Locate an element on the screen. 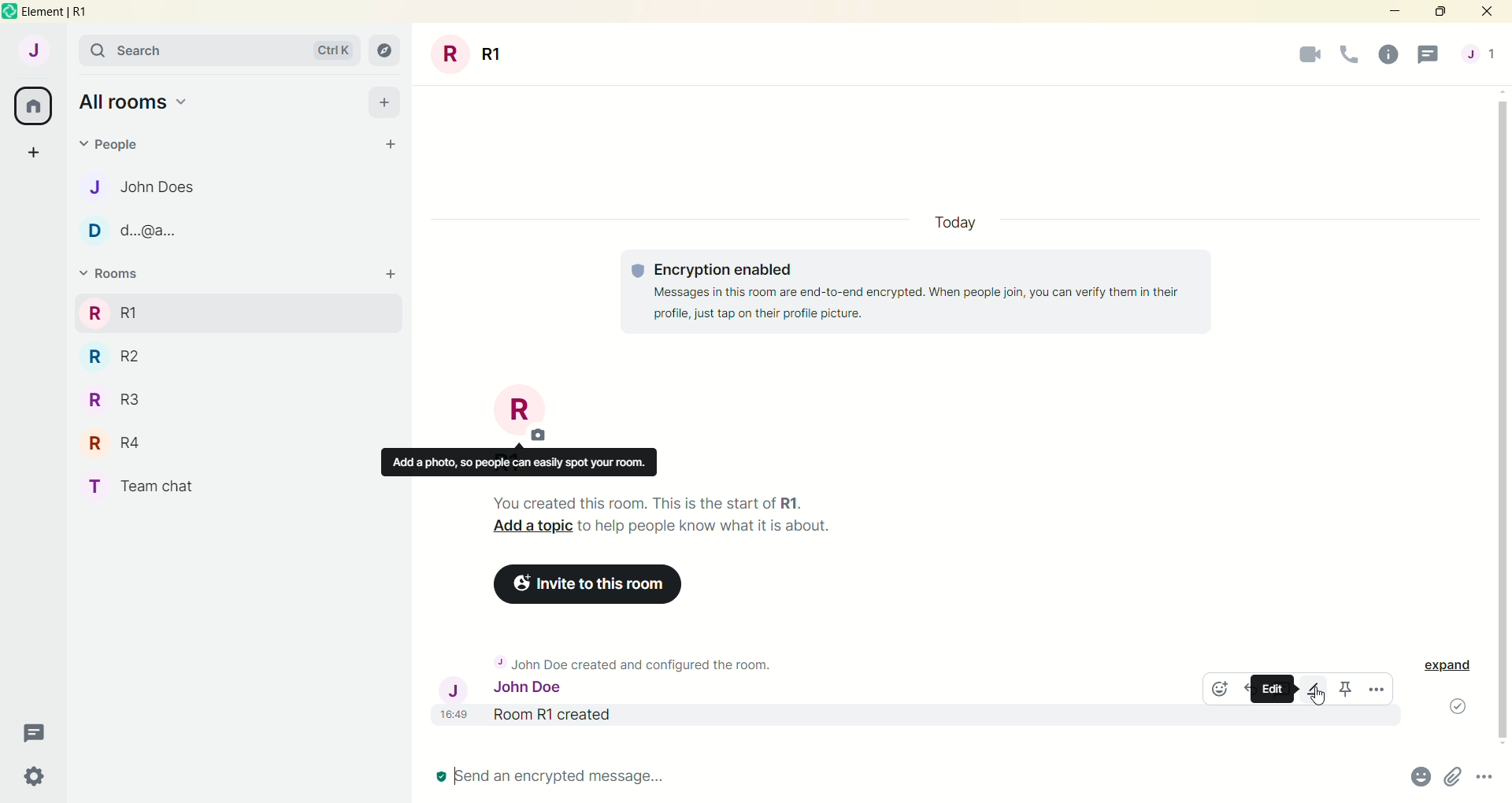 This screenshot has width=1512, height=803. start chat is located at coordinates (385, 142).